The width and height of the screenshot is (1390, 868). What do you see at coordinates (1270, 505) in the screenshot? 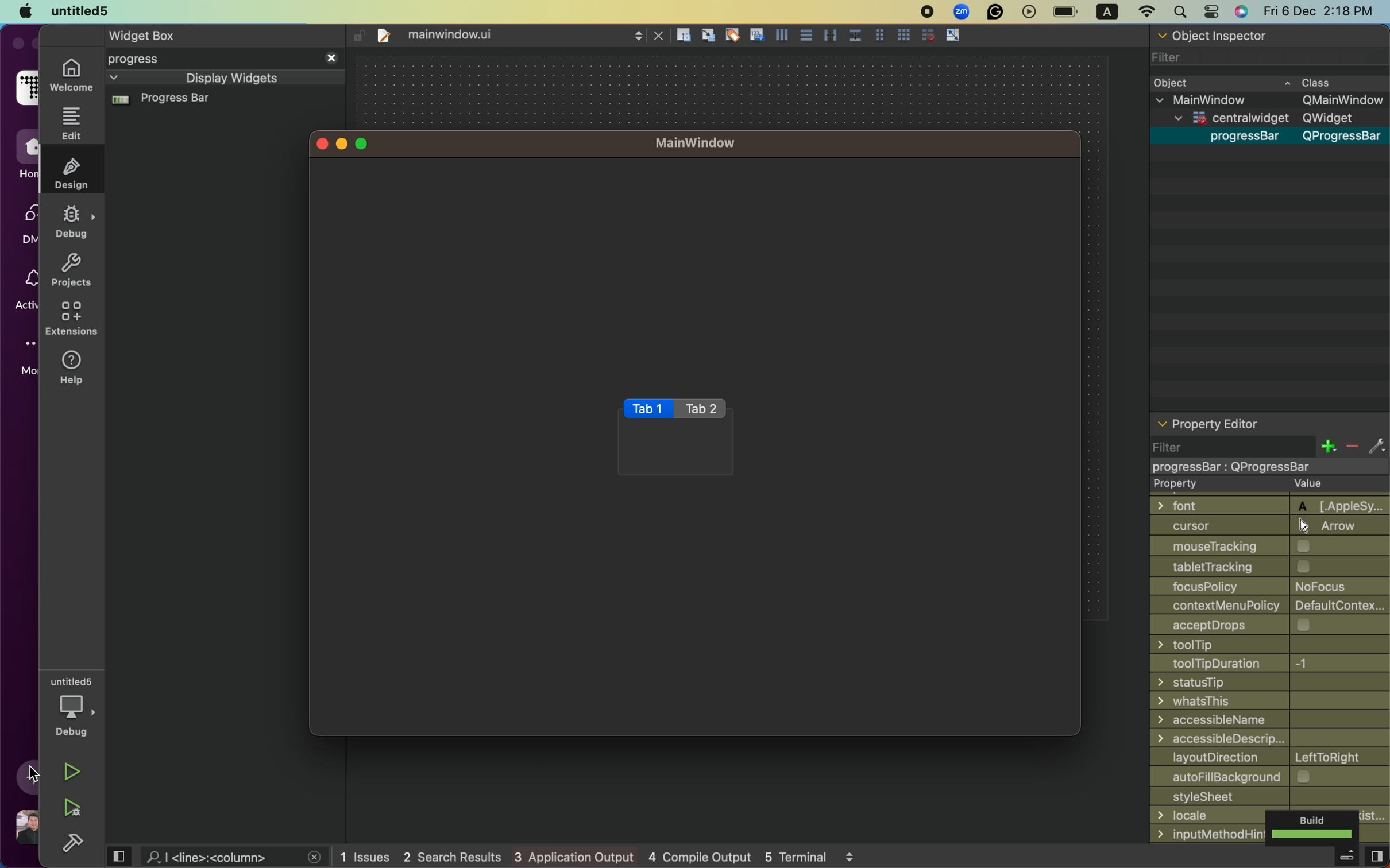
I see `font` at bounding box center [1270, 505].